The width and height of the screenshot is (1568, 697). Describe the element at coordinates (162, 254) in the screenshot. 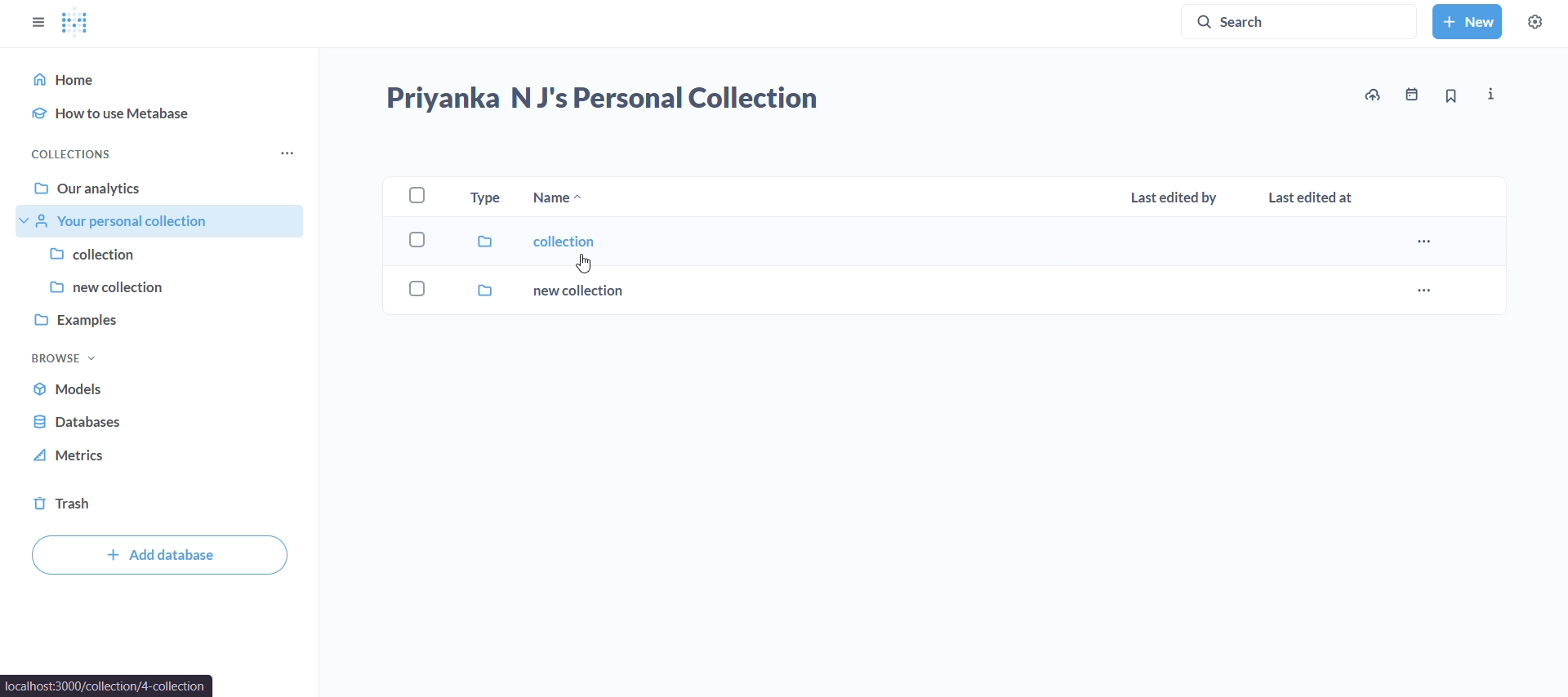

I see `collection` at that location.